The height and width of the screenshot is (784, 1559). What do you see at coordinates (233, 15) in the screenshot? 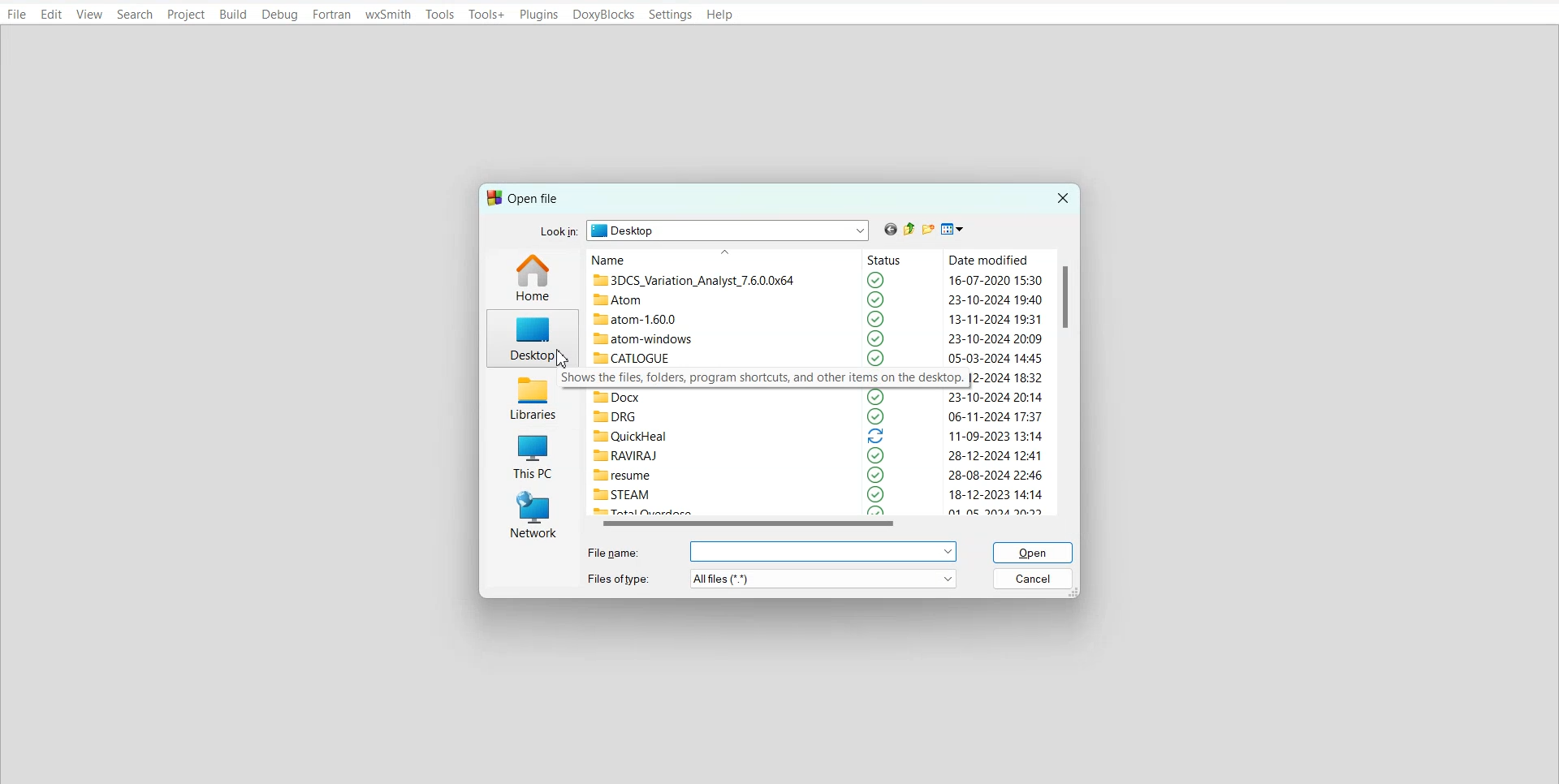
I see `Build` at bounding box center [233, 15].